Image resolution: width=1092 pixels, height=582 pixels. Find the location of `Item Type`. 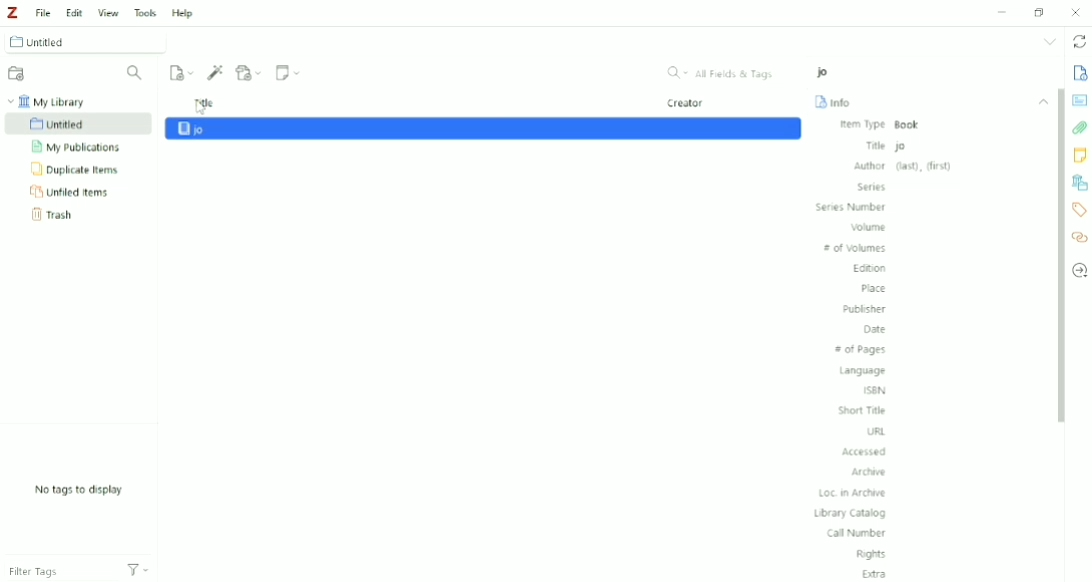

Item Type is located at coordinates (881, 125).